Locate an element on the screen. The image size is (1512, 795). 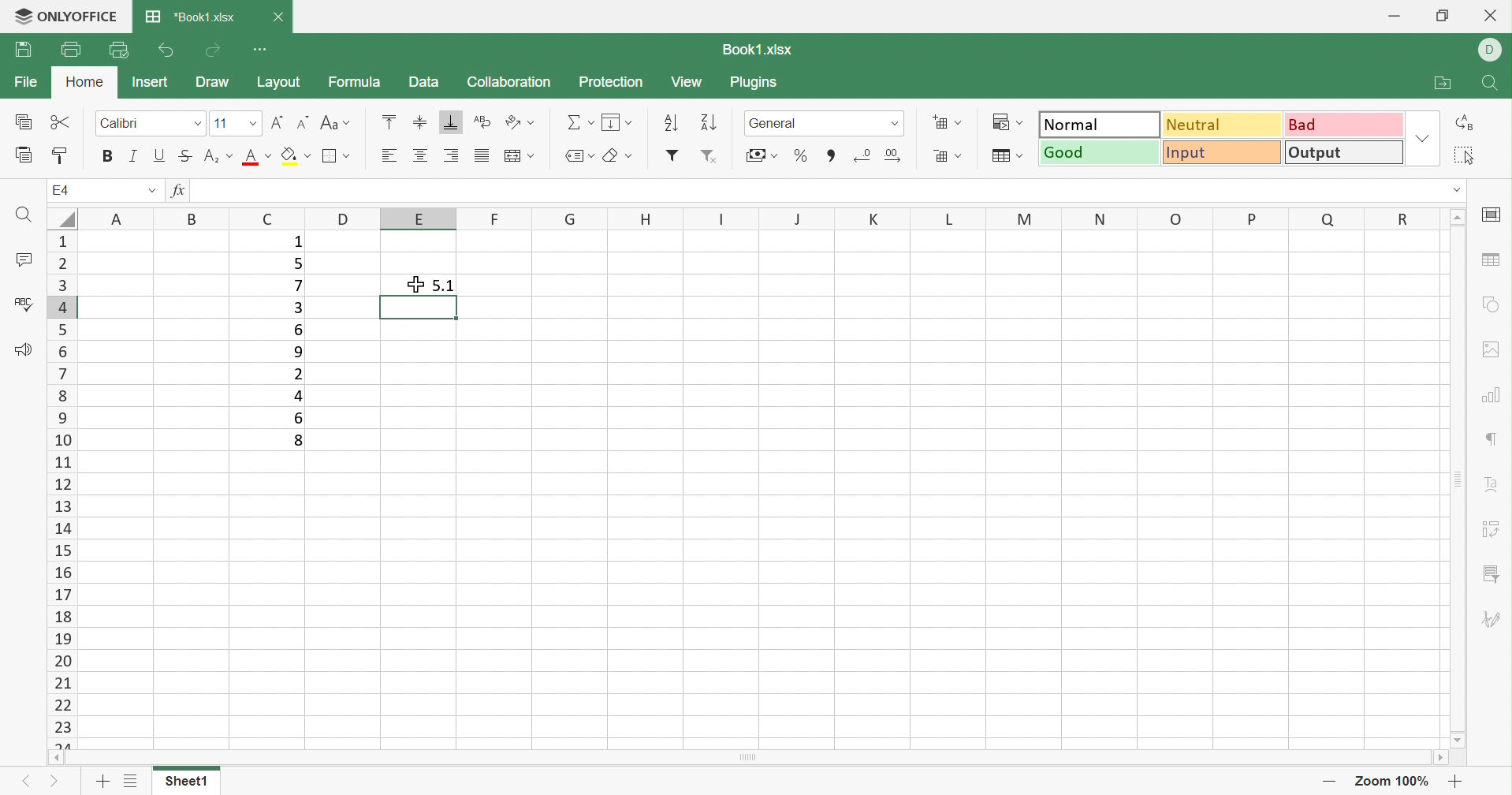
Bold is located at coordinates (106, 158).